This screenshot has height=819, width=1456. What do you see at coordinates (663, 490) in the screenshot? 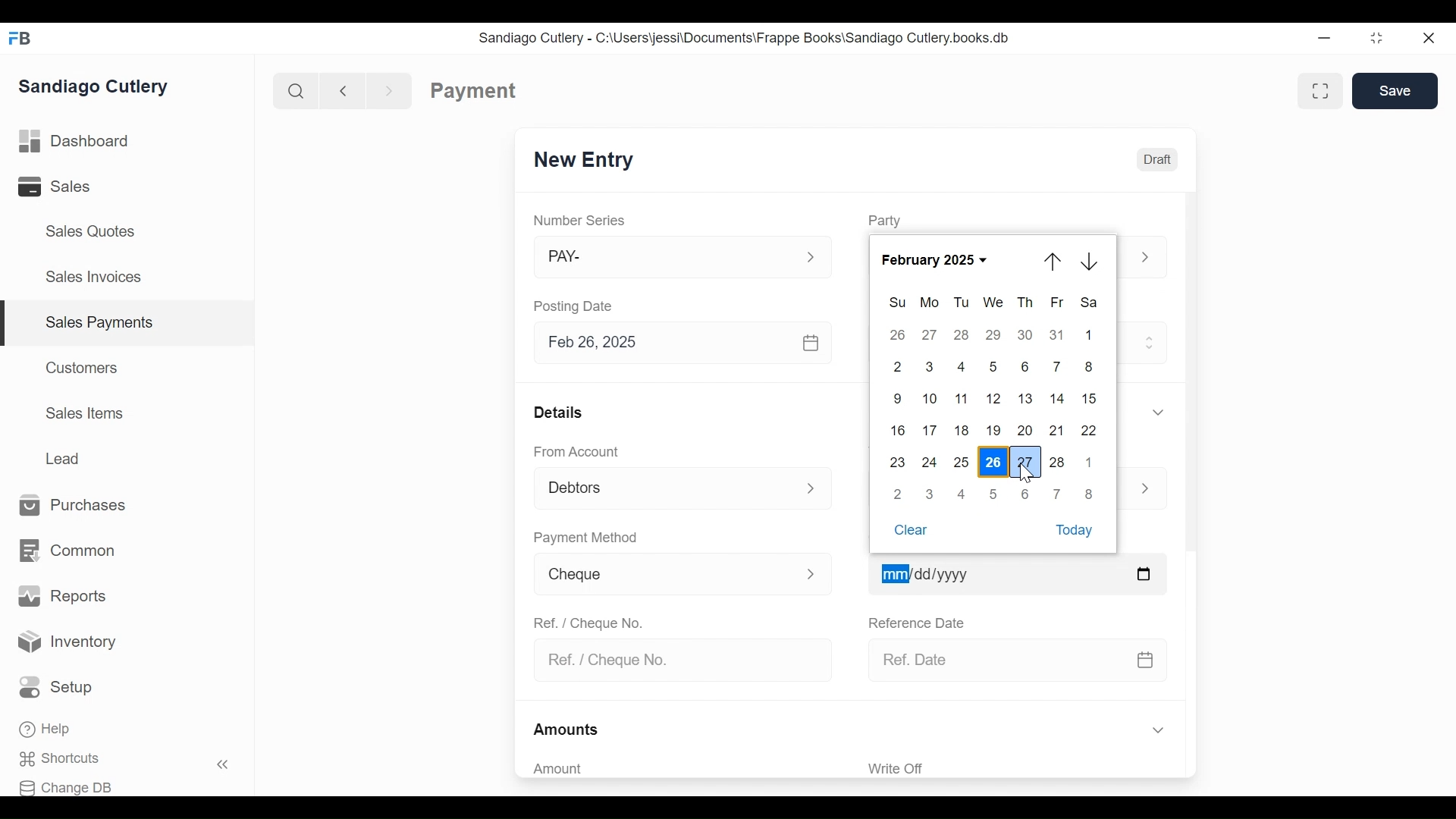
I see `Debtors` at bounding box center [663, 490].